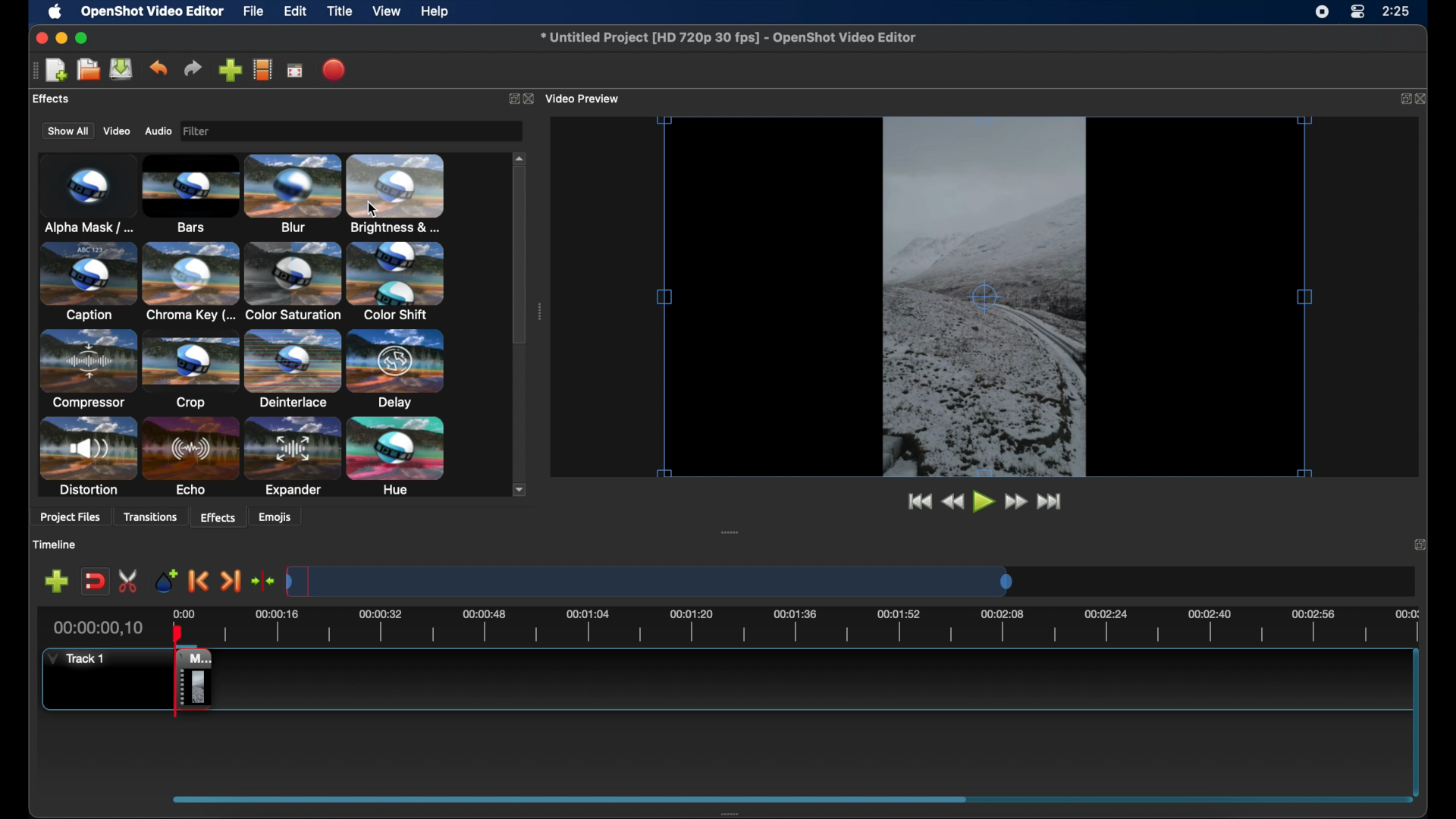 This screenshot has height=819, width=1456. What do you see at coordinates (292, 457) in the screenshot?
I see `expander` at bounding box center [292, 457].